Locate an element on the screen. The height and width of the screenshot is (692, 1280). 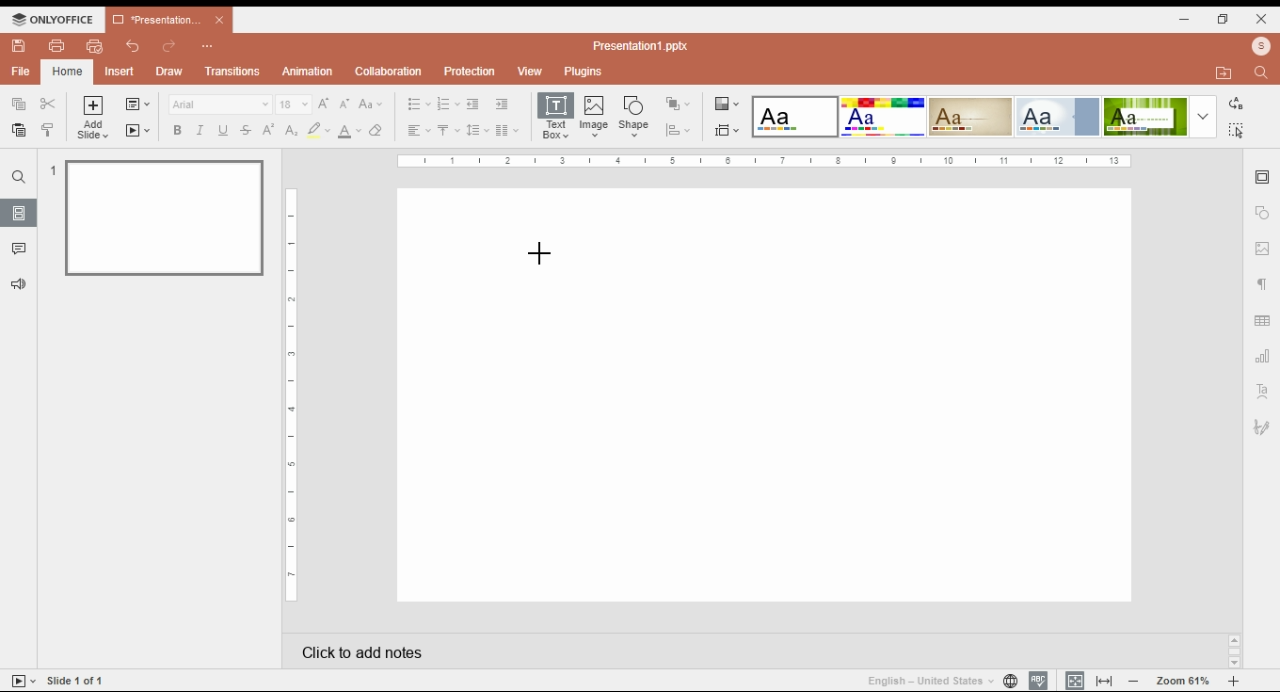
editor is located at coordinates (764, 396).